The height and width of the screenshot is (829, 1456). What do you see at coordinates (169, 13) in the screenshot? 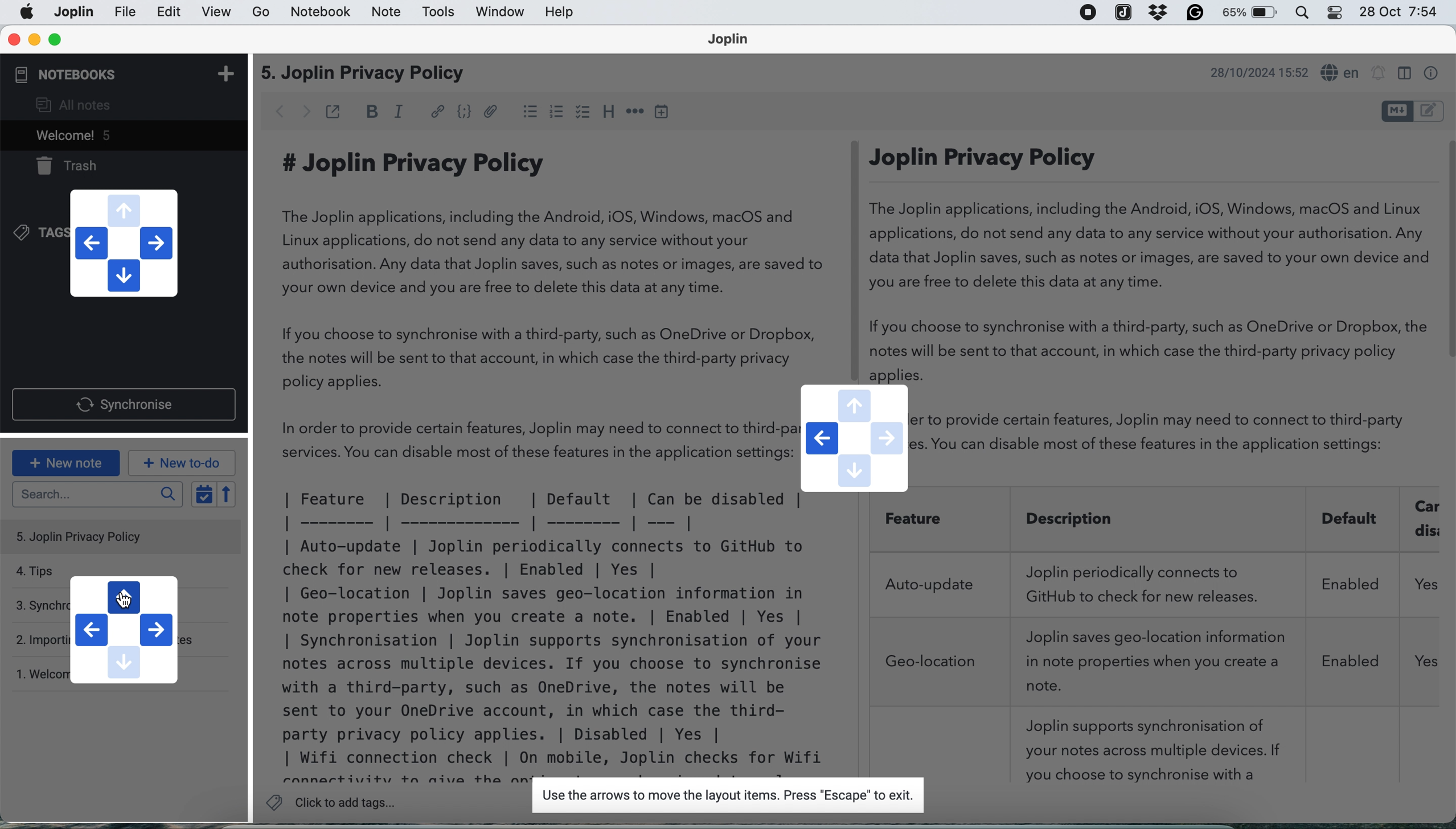
I see `edit` at bounding box center [169, 13].